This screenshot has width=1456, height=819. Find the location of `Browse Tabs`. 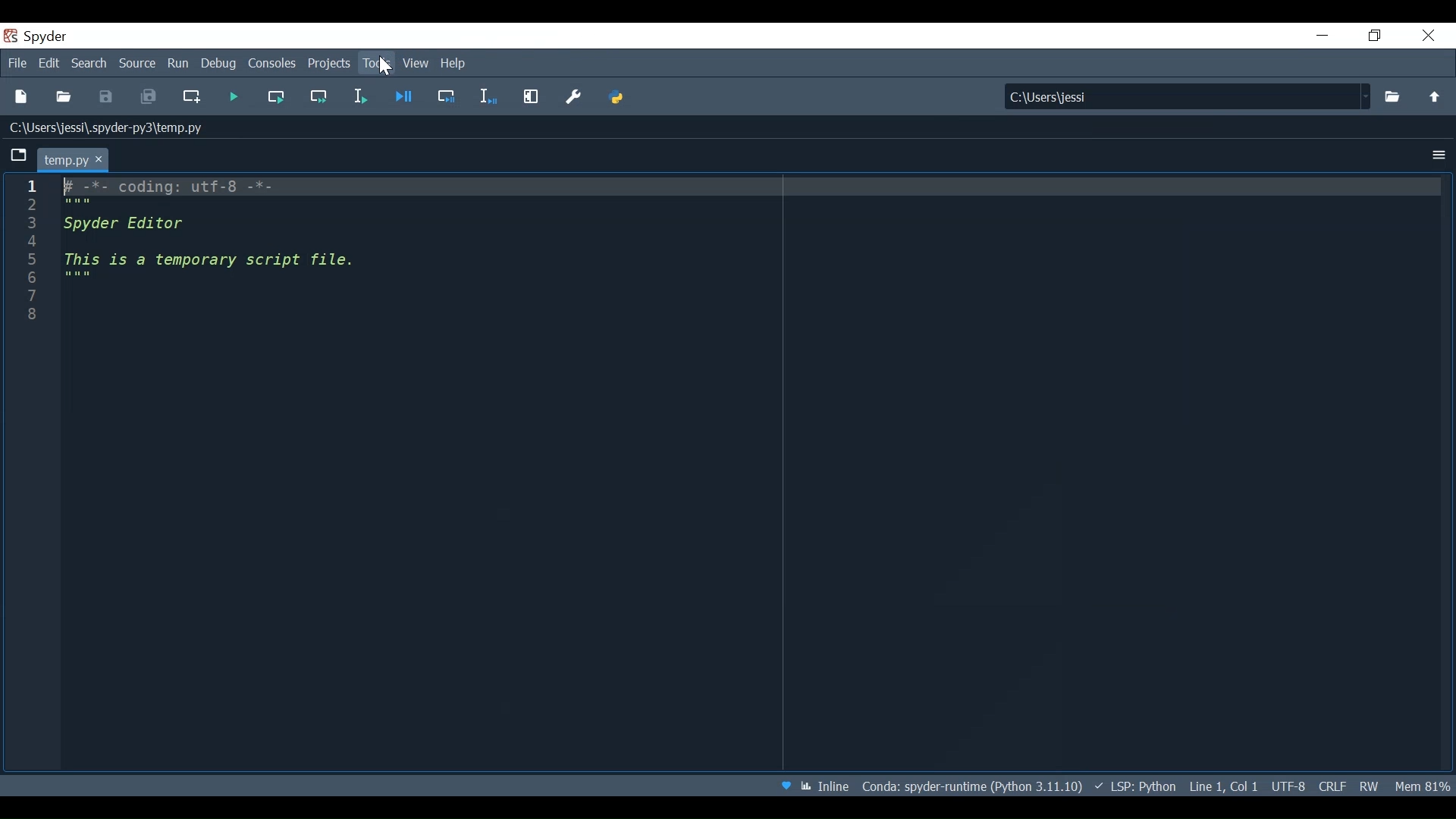

Browse Tabs is located at coordinates (20, 156).